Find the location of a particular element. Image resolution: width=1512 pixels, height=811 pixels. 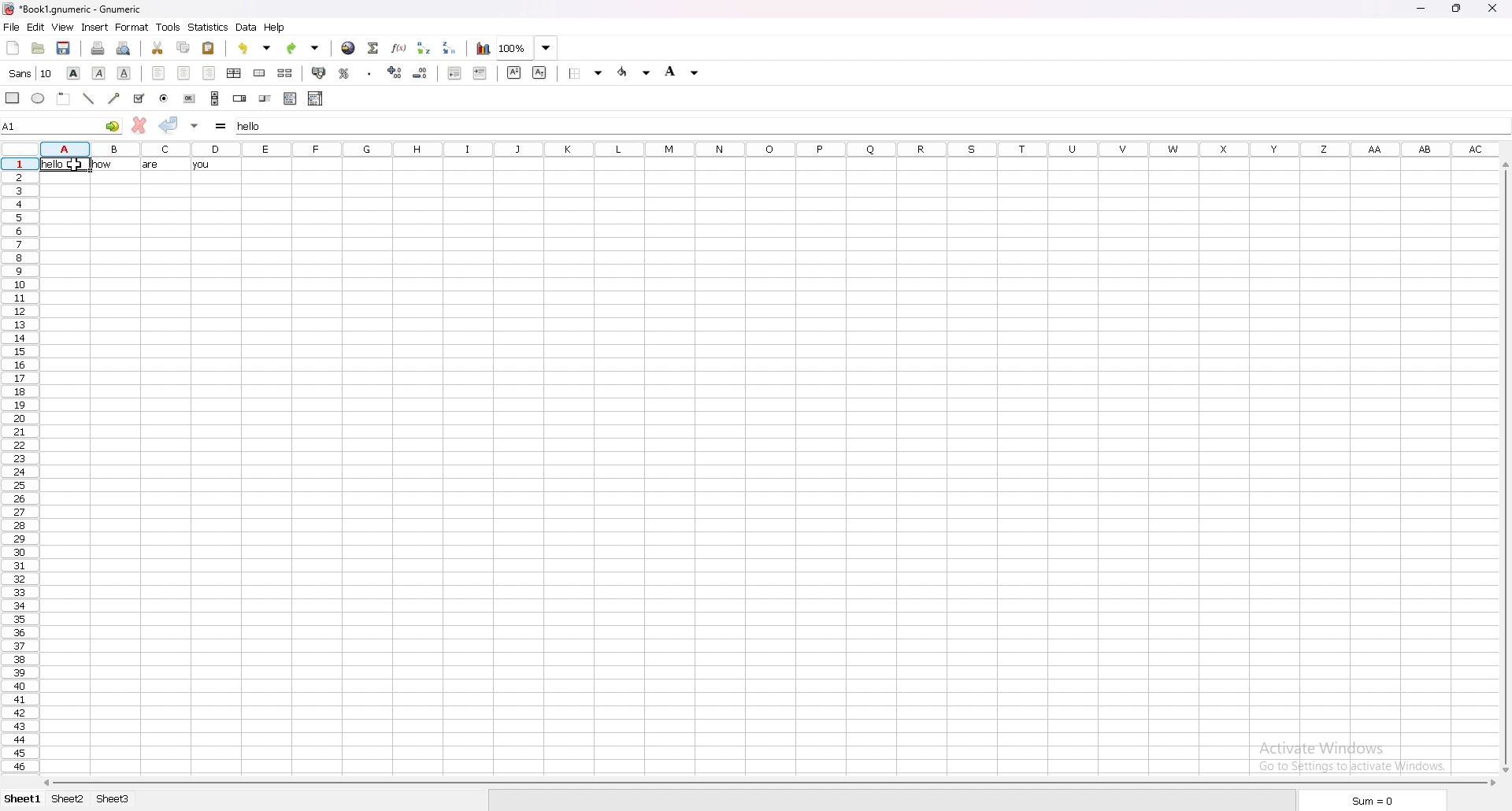

font is located at coordinates (29, 73).